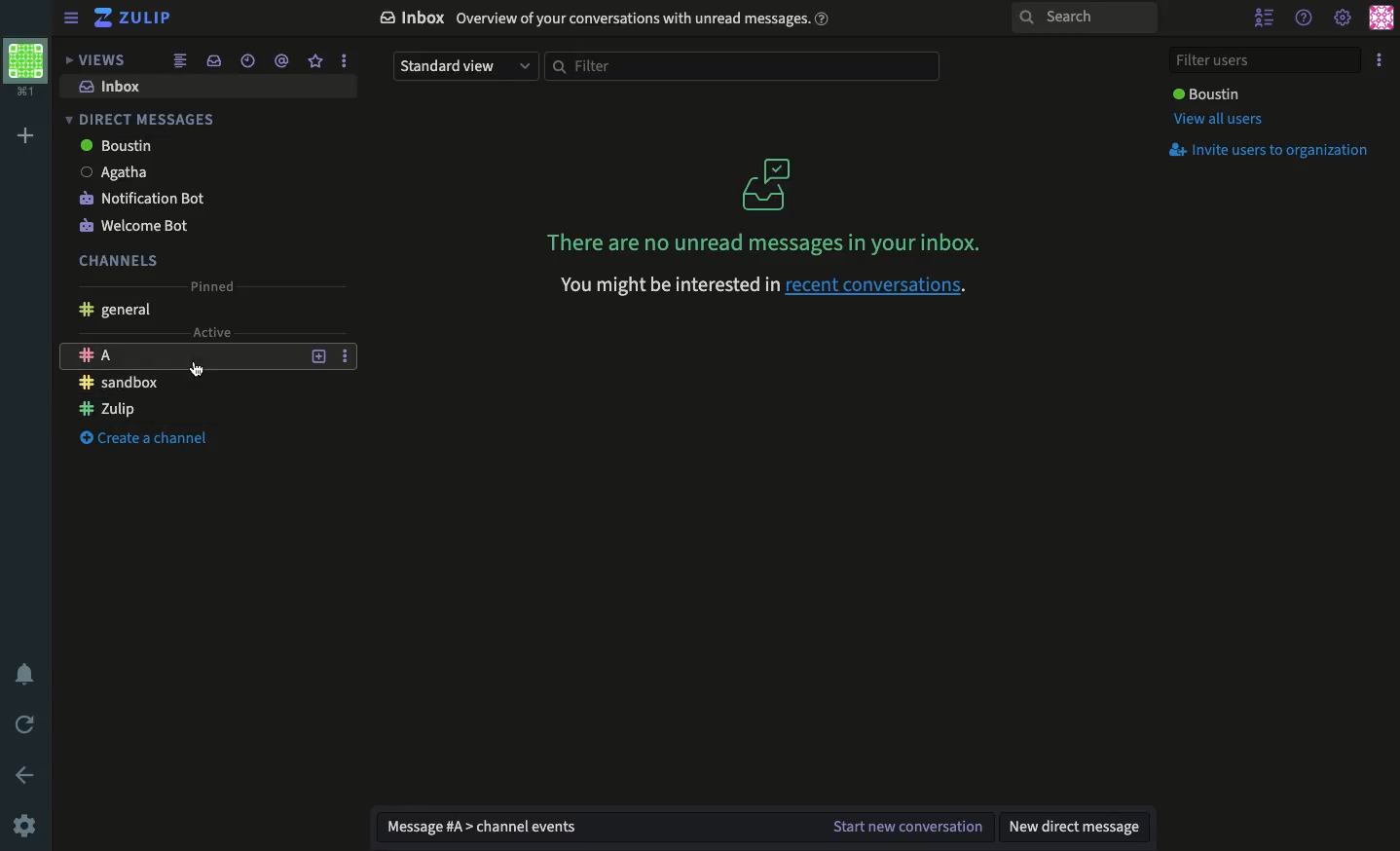  I want to click on help, so click(824, 18).